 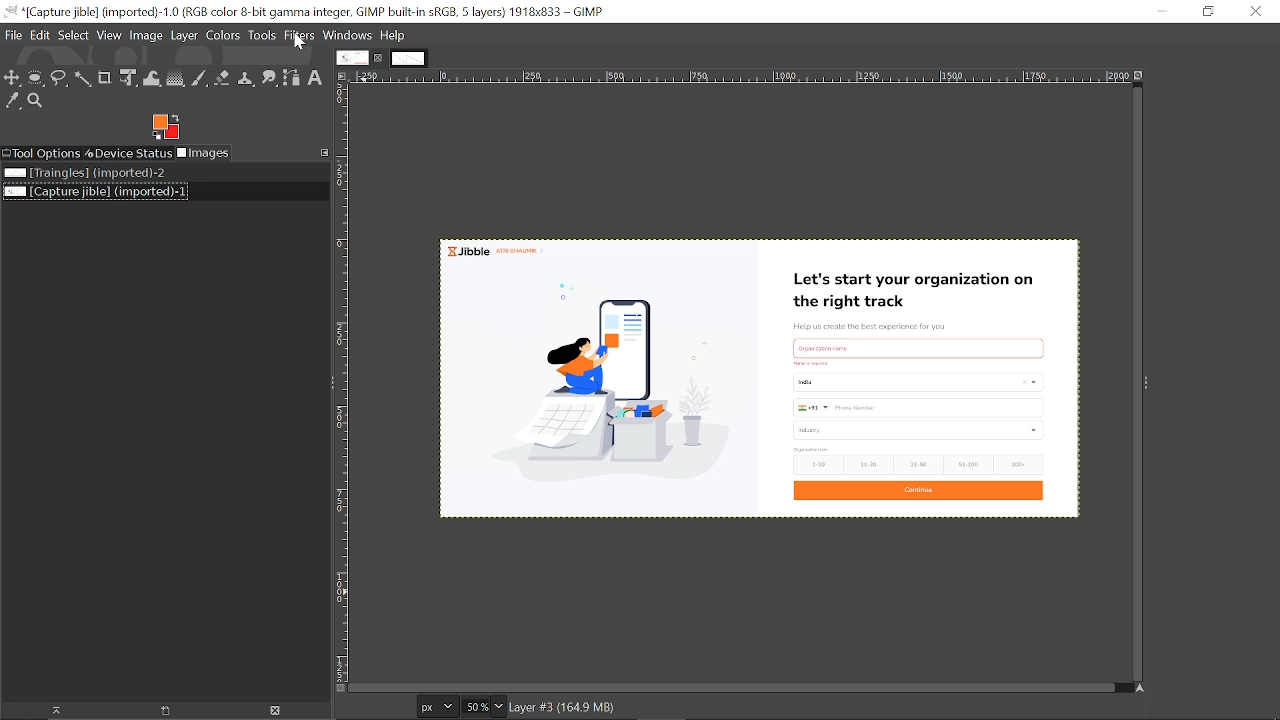 I want to click on Jibble, so click(x=502, y=251).